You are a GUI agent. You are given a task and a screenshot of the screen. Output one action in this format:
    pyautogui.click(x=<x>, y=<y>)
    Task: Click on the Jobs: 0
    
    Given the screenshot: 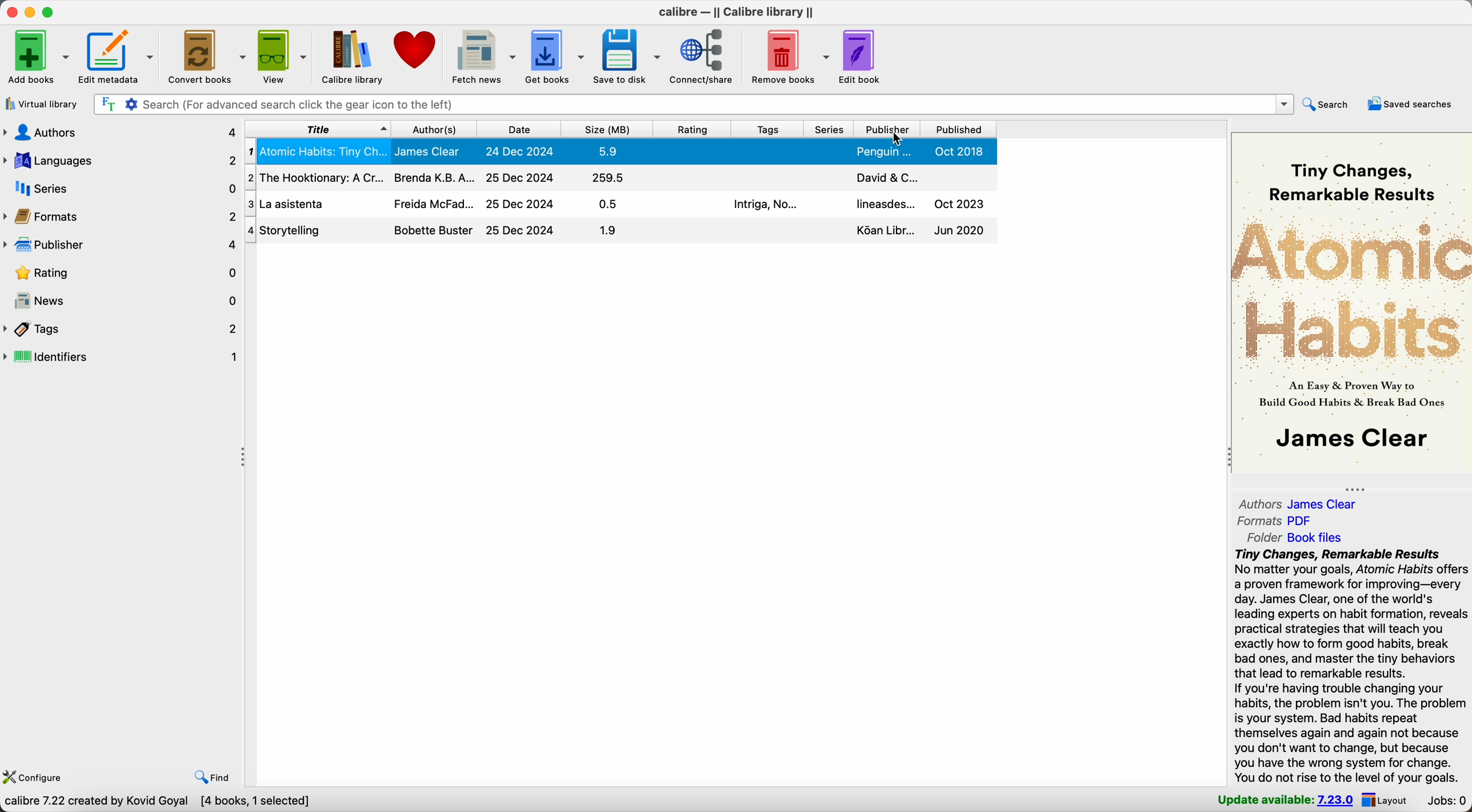 What is the action you would take?
    pyautogui.click(x=1446, y=801)
    